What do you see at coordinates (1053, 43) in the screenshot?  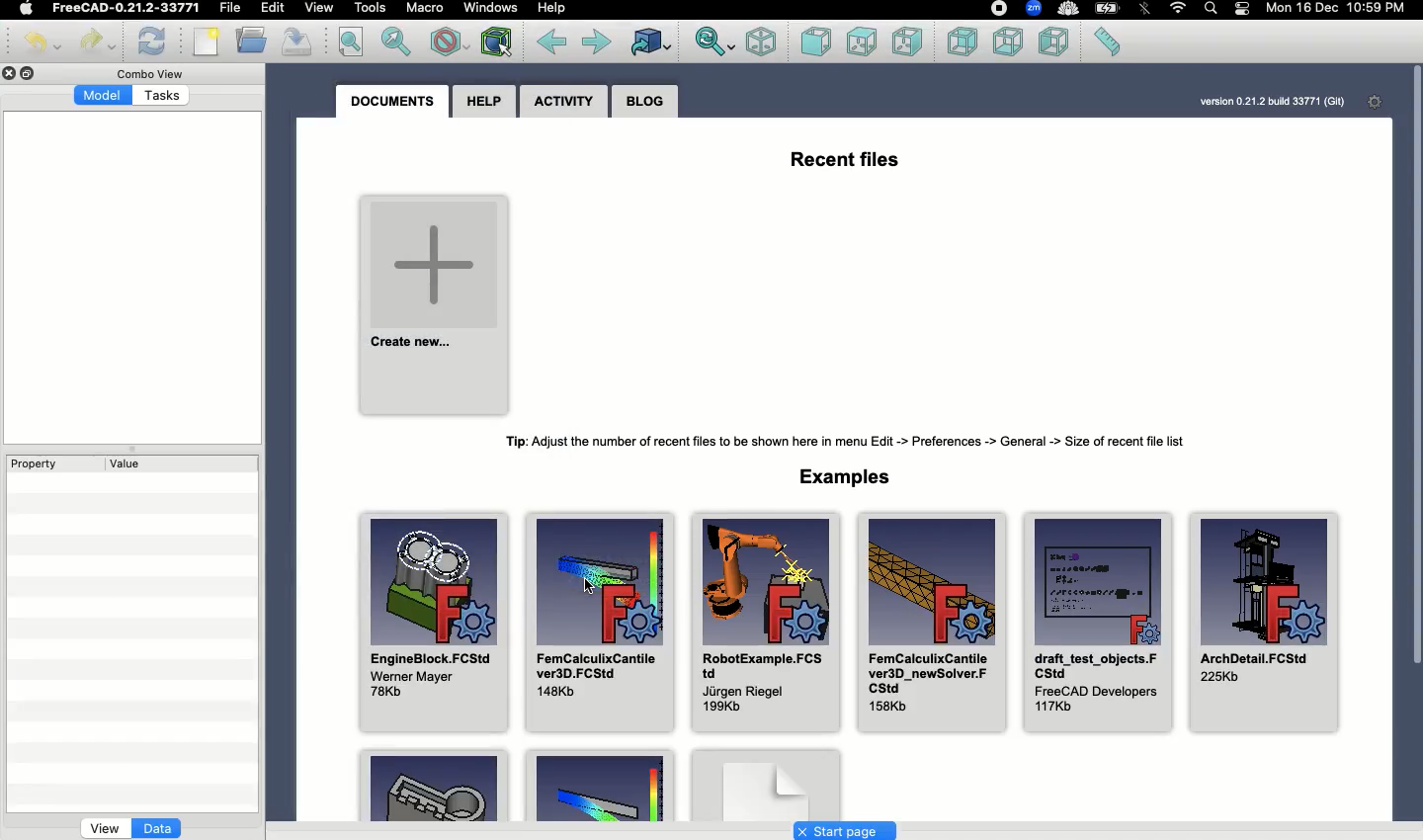 I see `Left` at bounding box center [1053, 43].